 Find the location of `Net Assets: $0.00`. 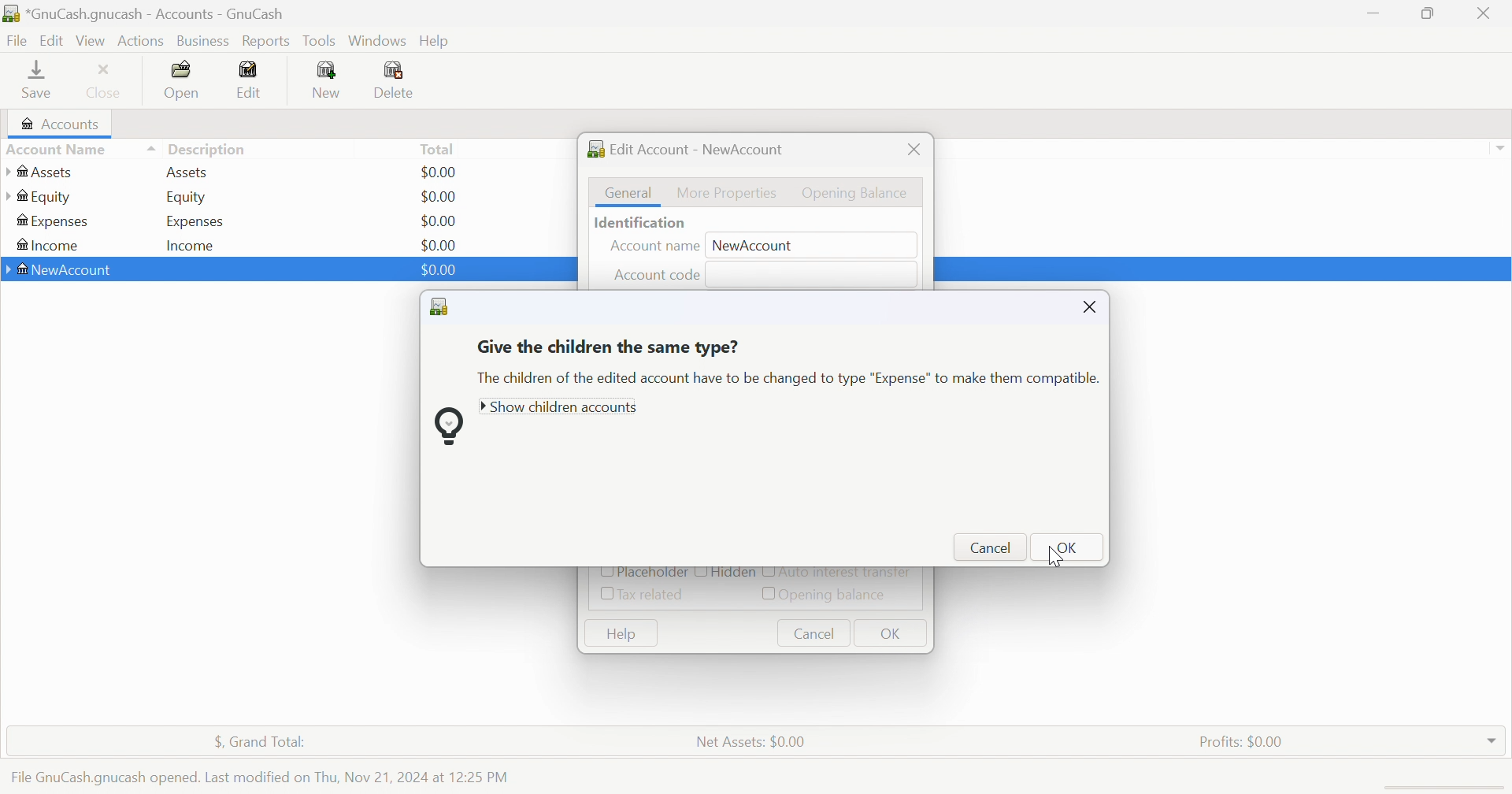

Net Assets: $0.00 is located at coordinates (750, 742).